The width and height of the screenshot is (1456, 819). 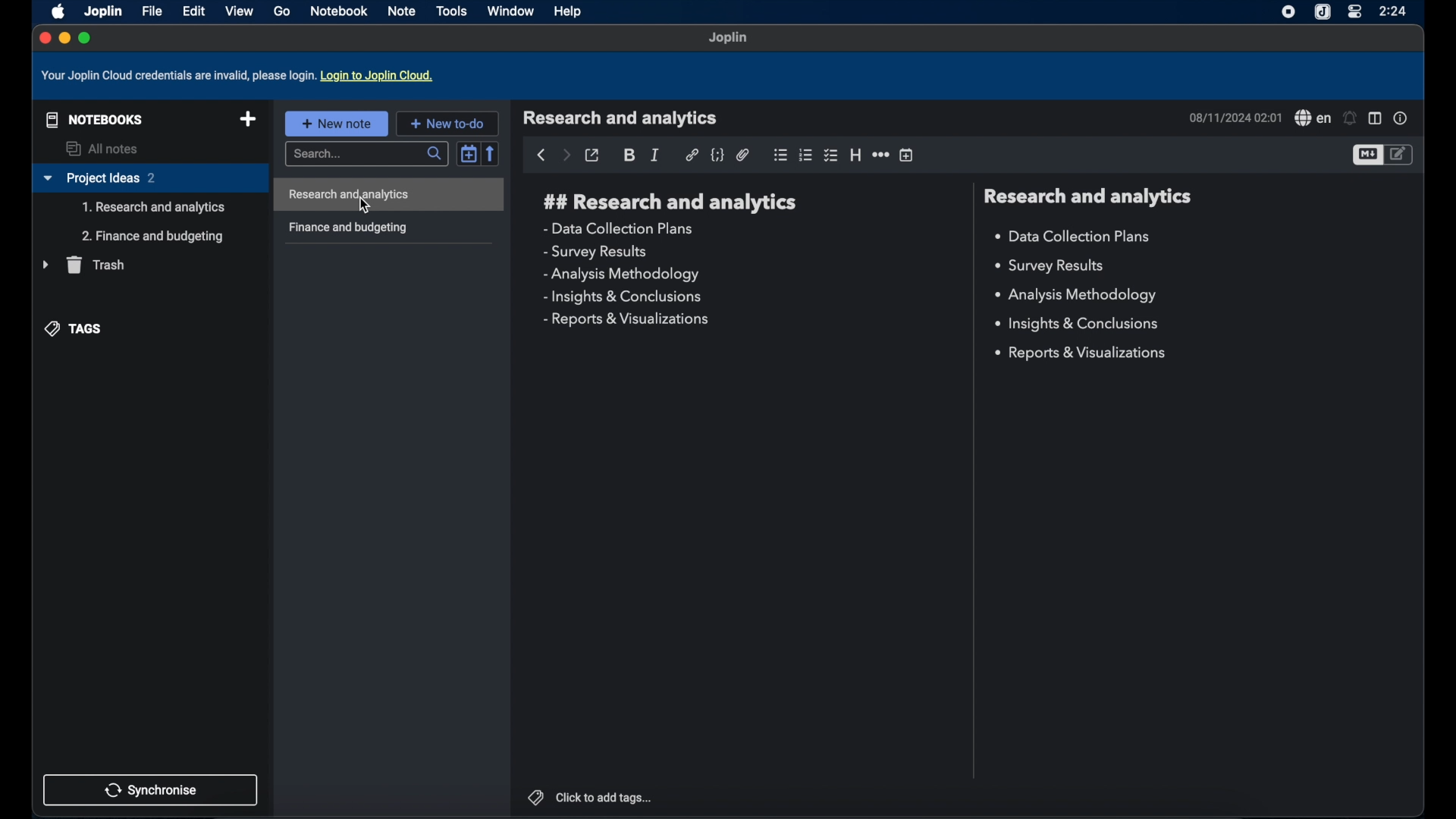 What do you see at coordinates (729, 39) in the screenshot?
I see `Joplin` at bounding box center [729, 39].